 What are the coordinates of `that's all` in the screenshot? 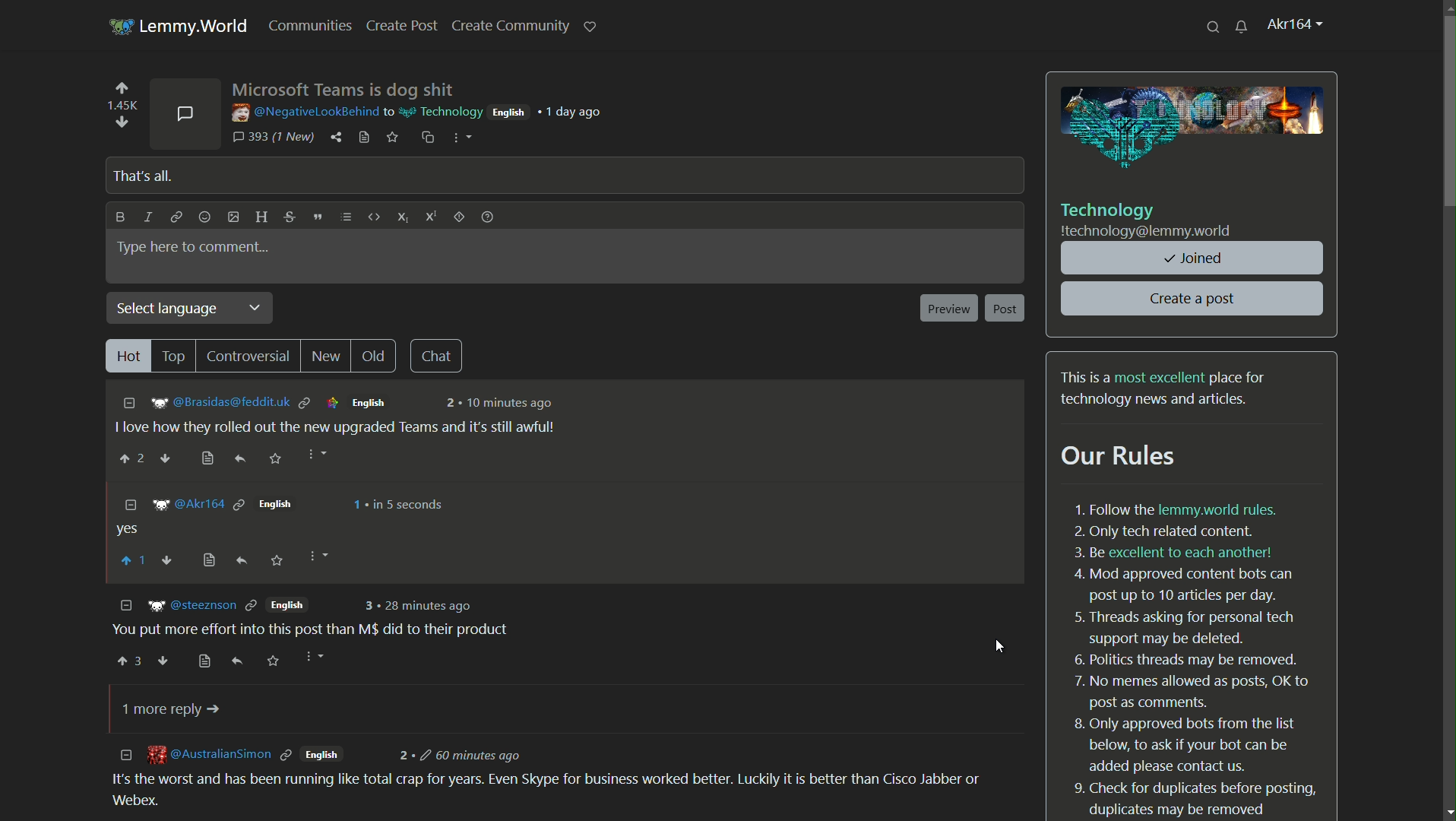 It's located at (140, 176).